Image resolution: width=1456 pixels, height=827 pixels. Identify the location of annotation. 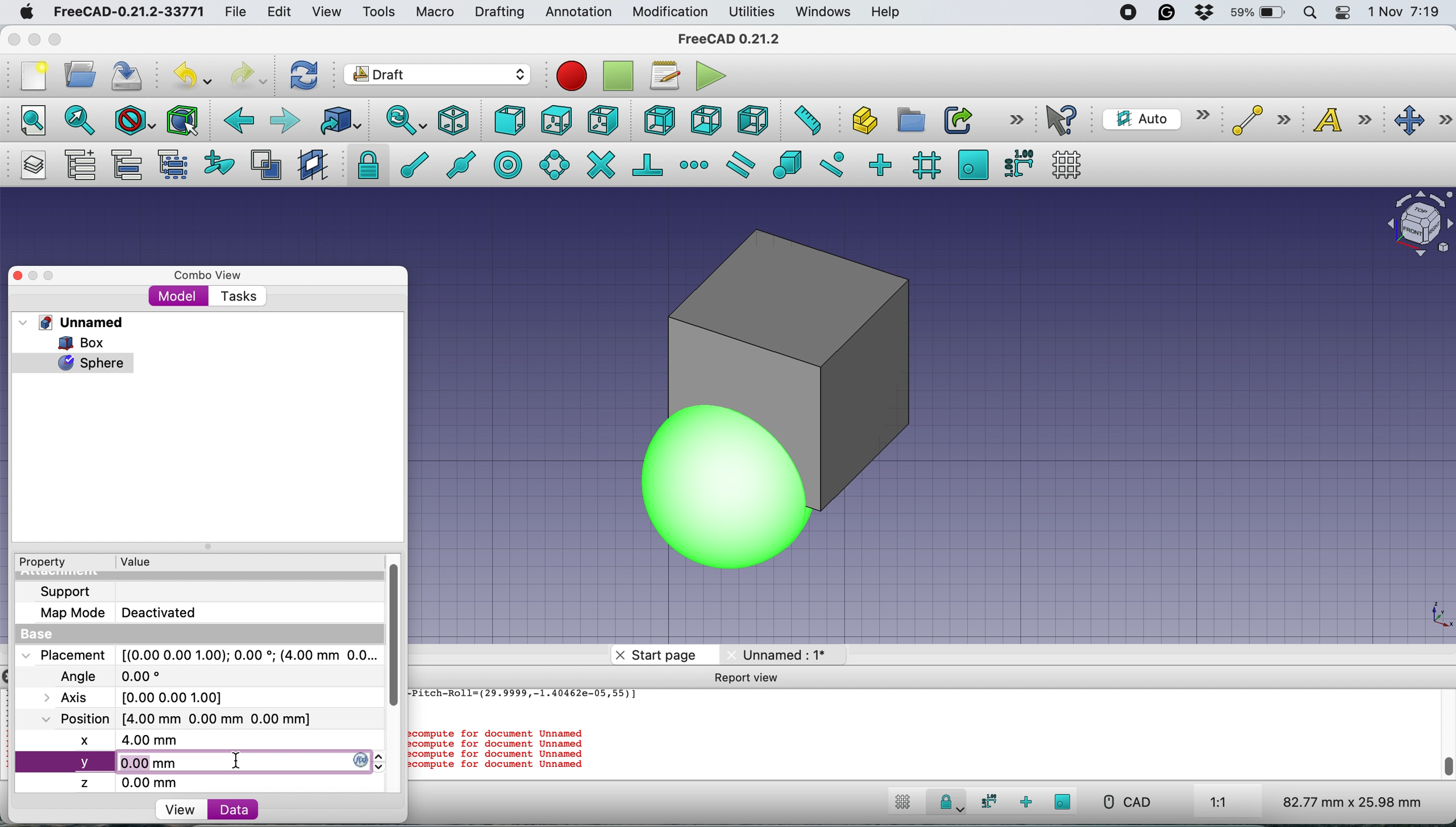
(576, 12).